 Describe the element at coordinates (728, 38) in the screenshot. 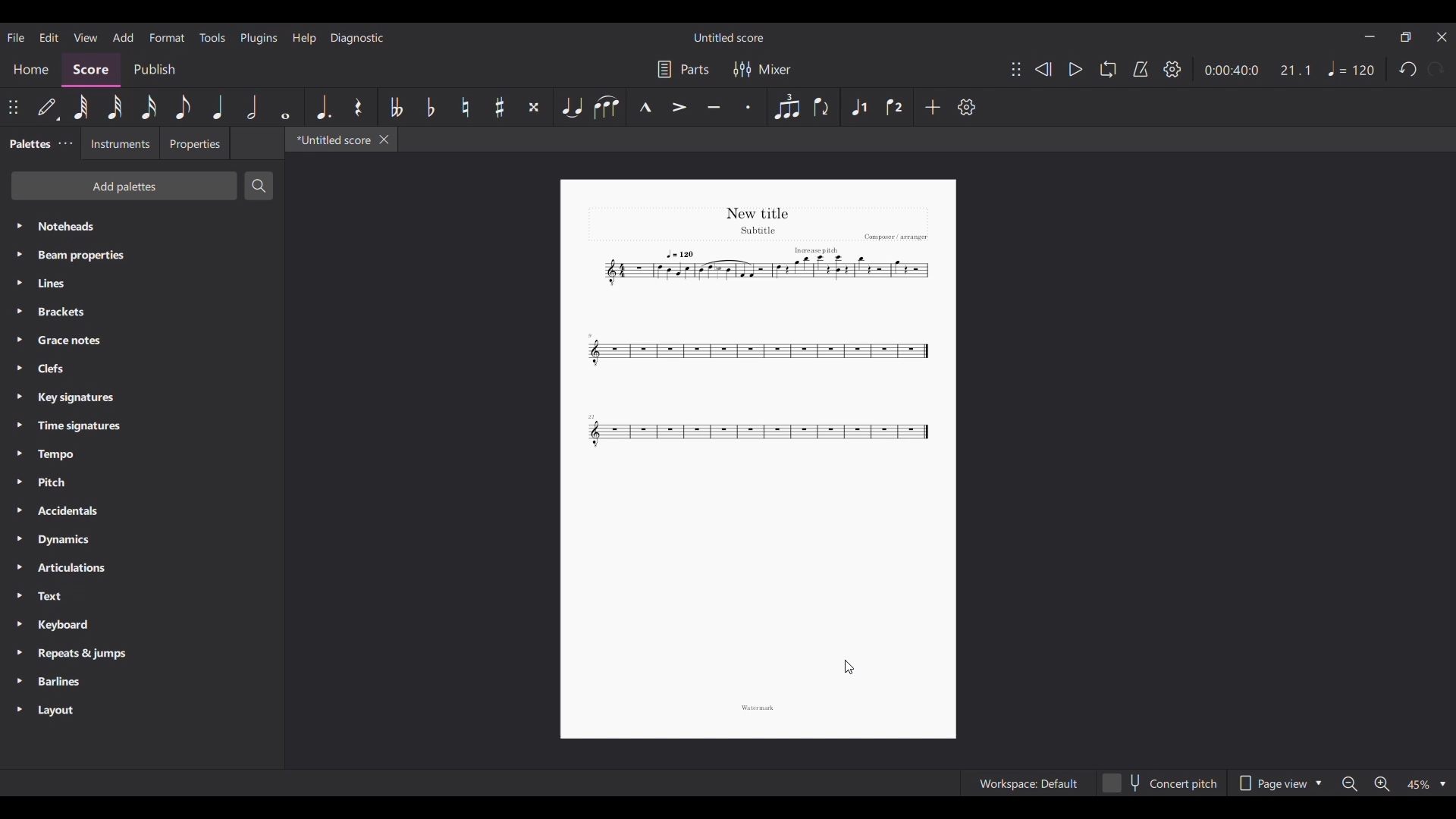

I see `Untitled score` at that location.